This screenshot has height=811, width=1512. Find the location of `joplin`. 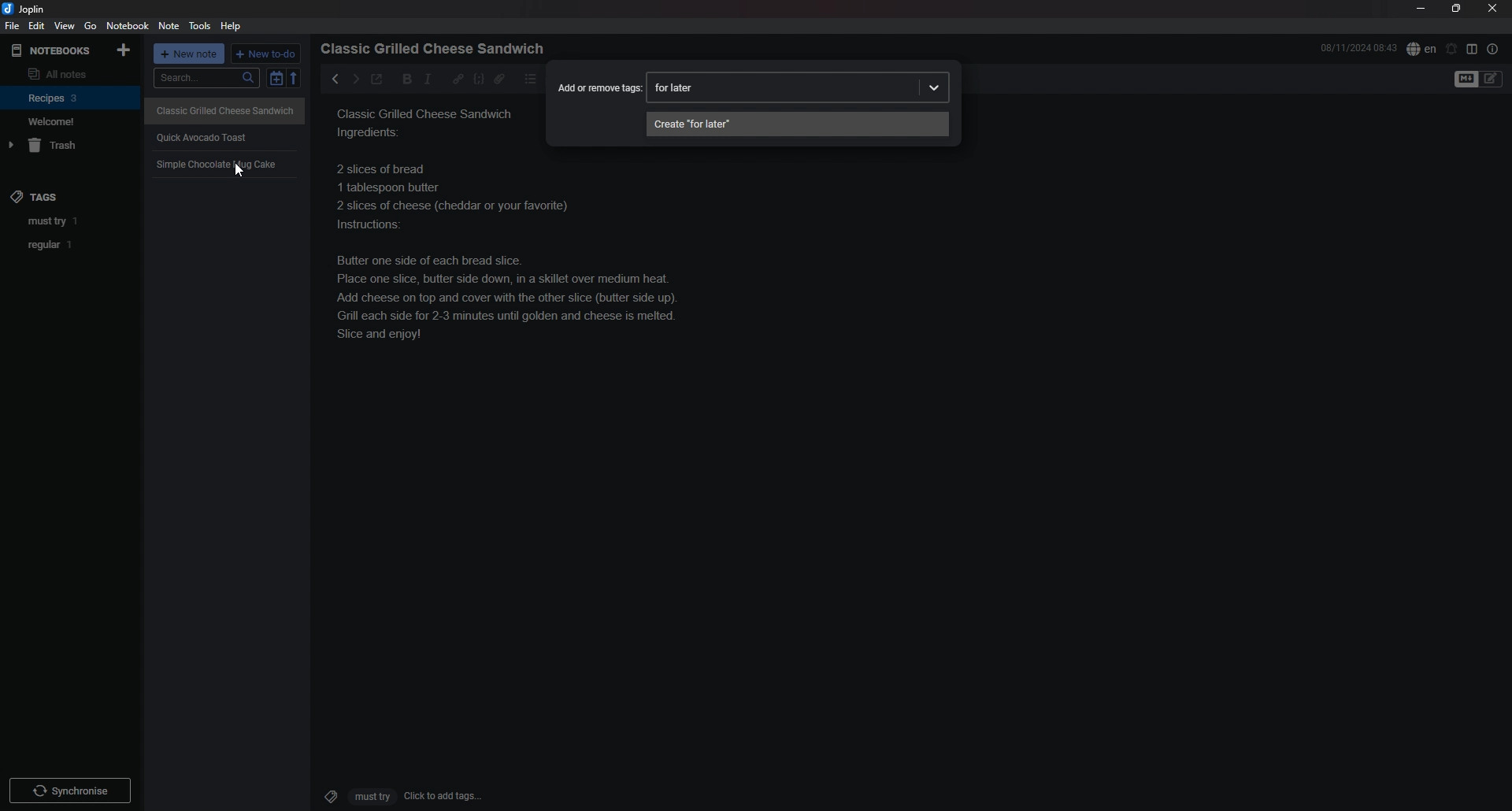

joplin is located at coordinates (26, 9).